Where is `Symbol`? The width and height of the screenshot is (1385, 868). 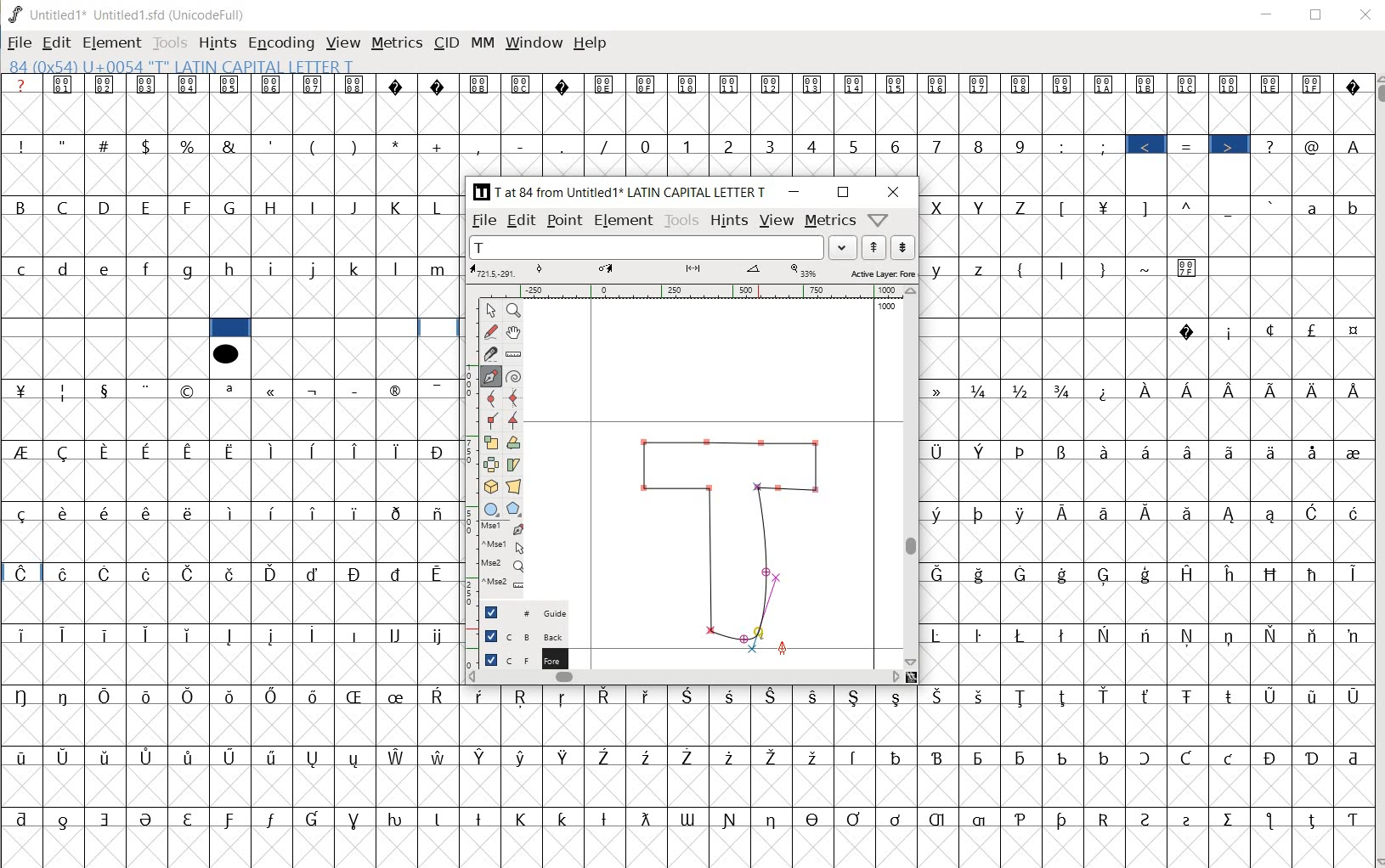
Symbol is located at coordinates (314, 819).